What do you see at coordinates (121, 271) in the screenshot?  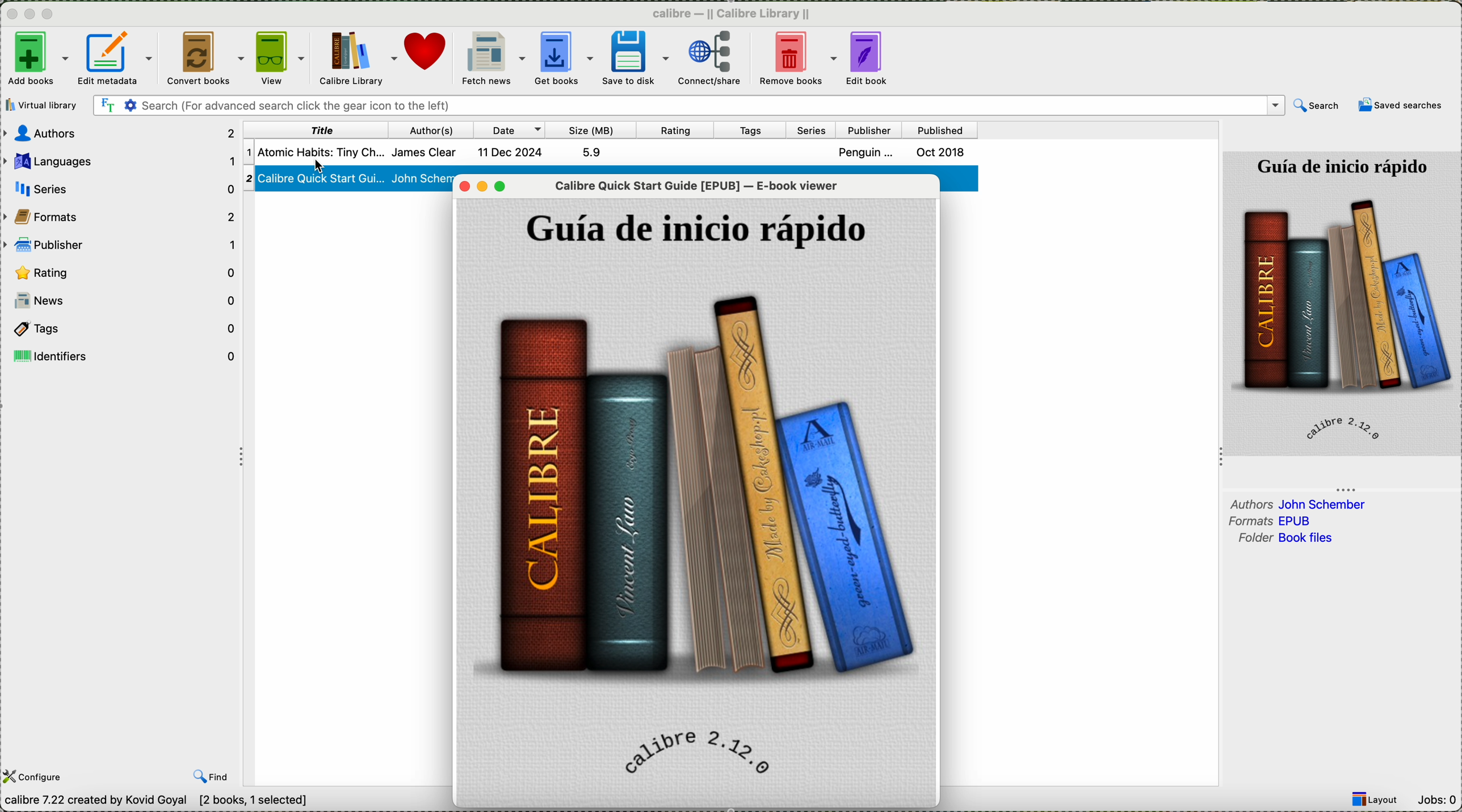 I see `rating` at bounding box center [121, 271].